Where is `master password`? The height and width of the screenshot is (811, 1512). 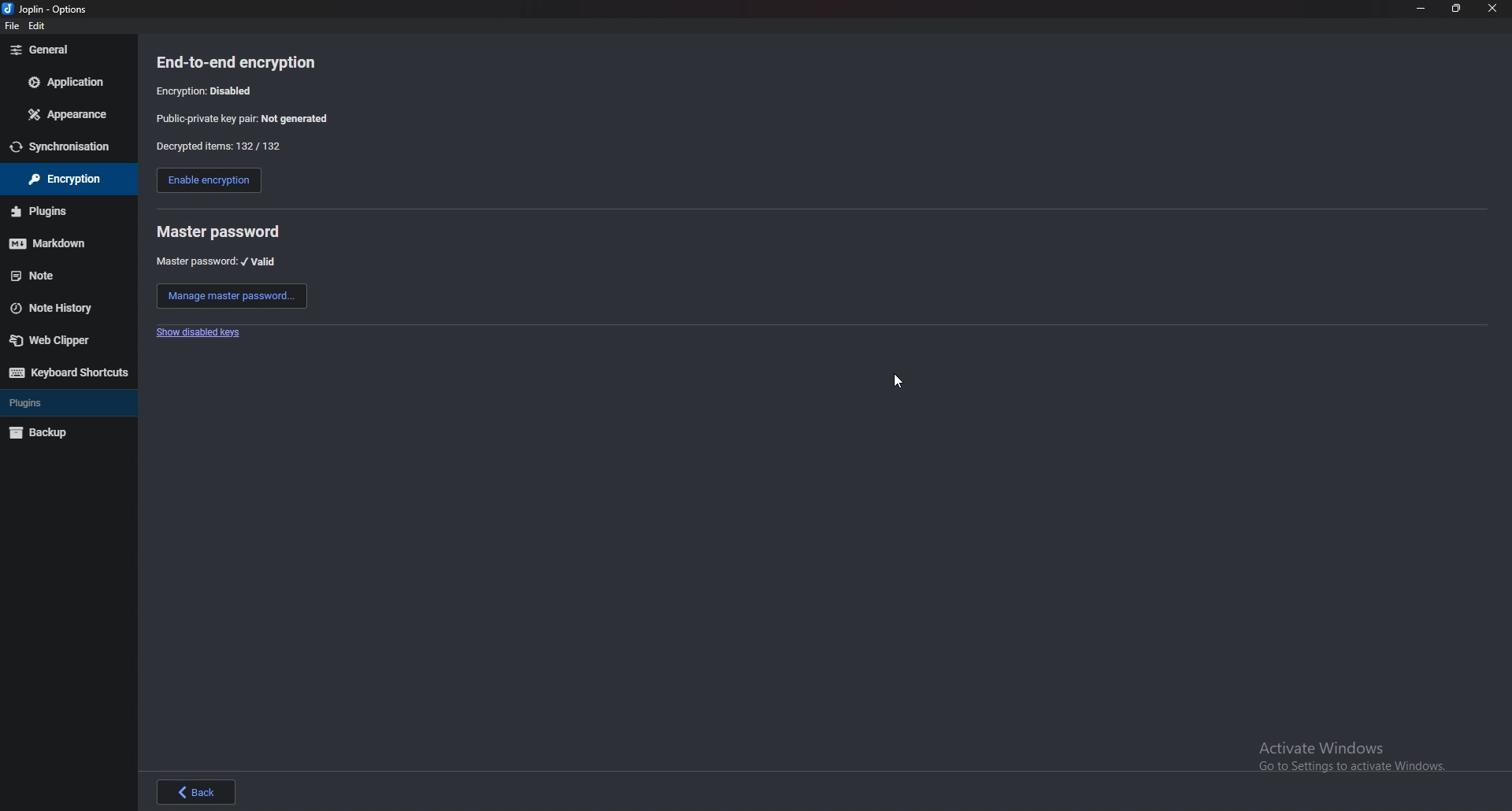 master password is located at coordinates (217, 261).